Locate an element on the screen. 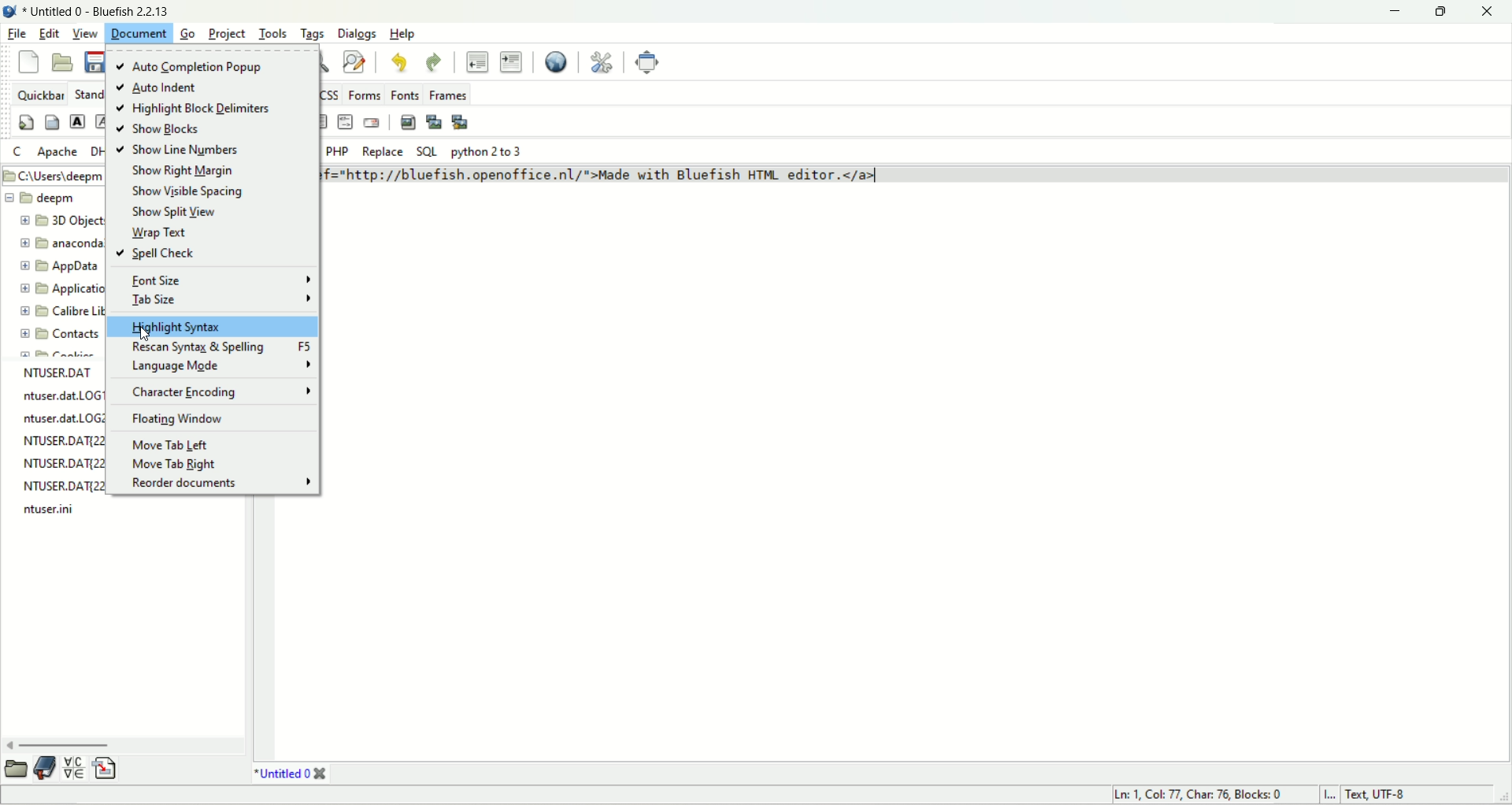 Image resolution: width=1512 pixels, height=805 pixels. open file is located at coordinates (61, 63).